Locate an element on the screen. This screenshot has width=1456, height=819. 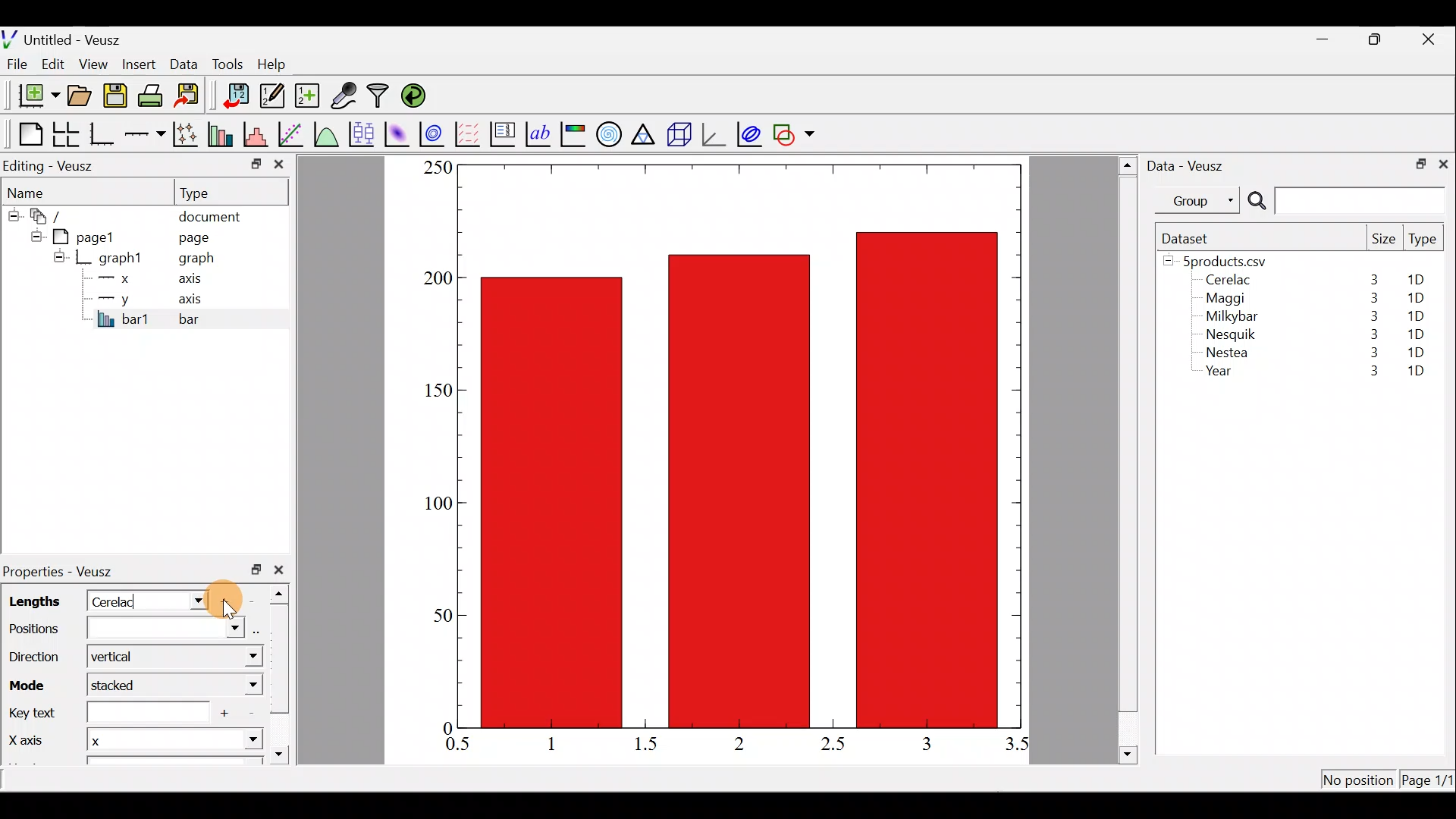
y is located at coordinates (114, 297).